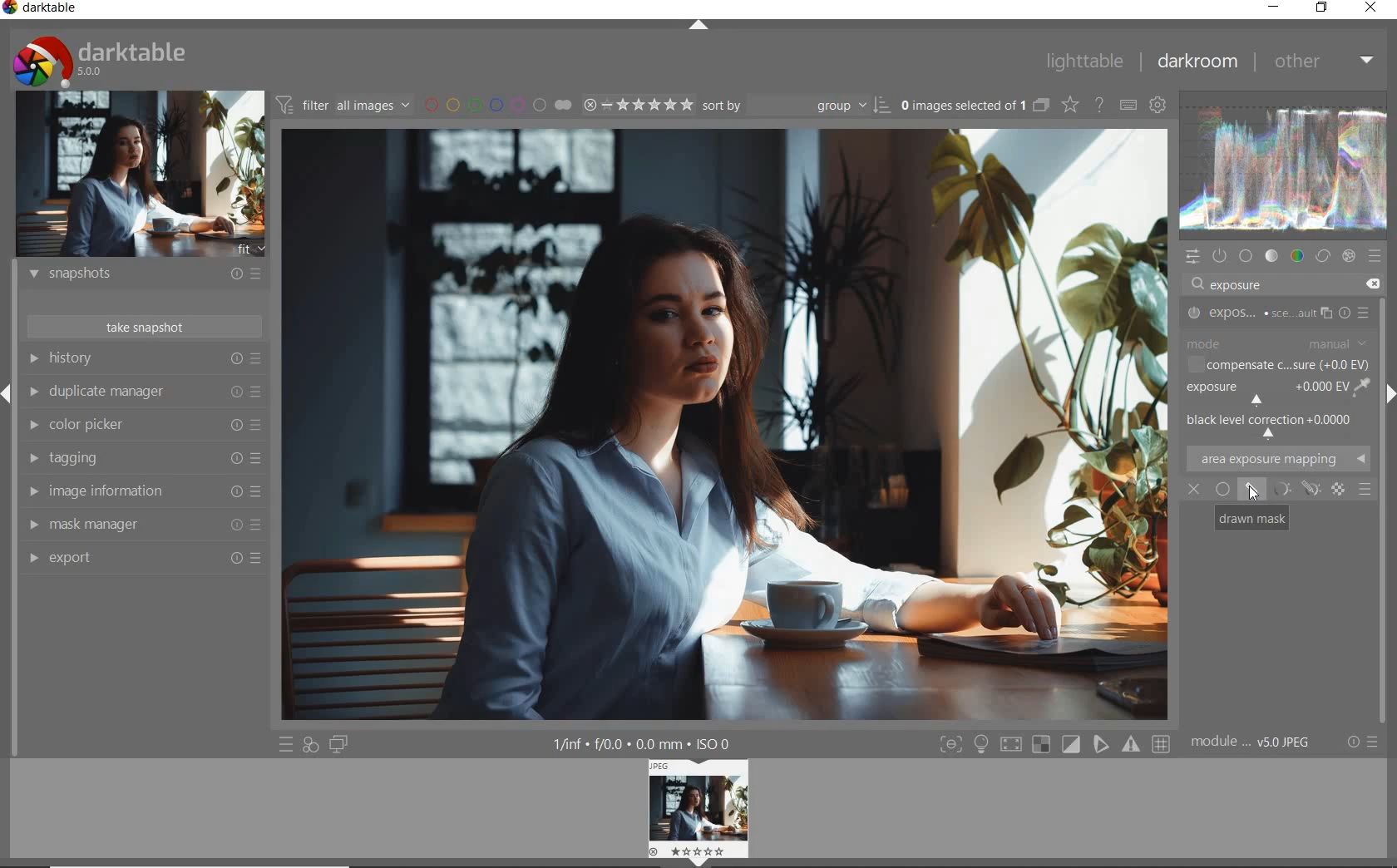  What do you see at coordinates (141, 523) in the screenshot?
I see `mask manager` at bounding box center [141, 523].